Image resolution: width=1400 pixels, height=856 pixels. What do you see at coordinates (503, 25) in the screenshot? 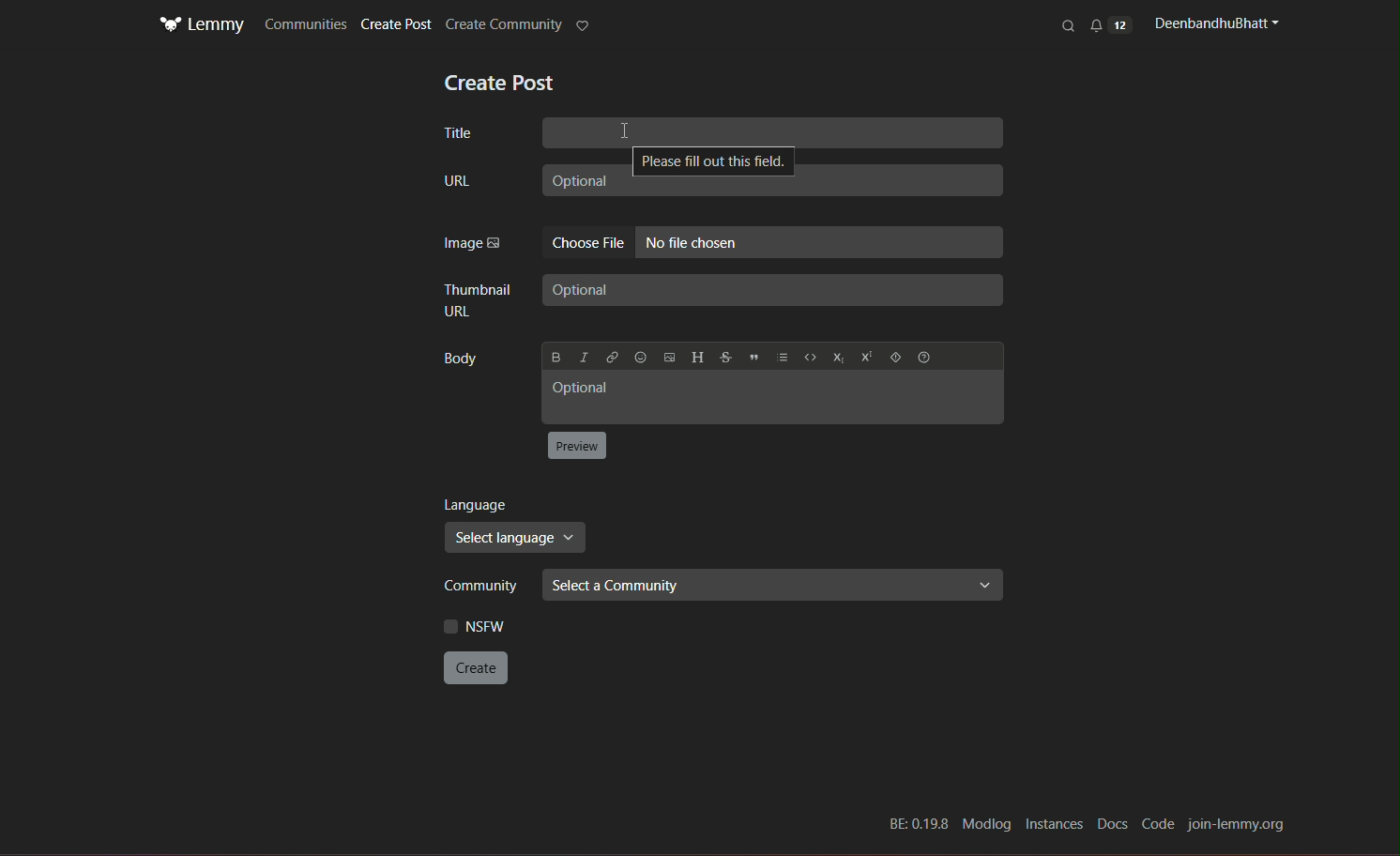
I see `create community` at bounding box center [503, 25].